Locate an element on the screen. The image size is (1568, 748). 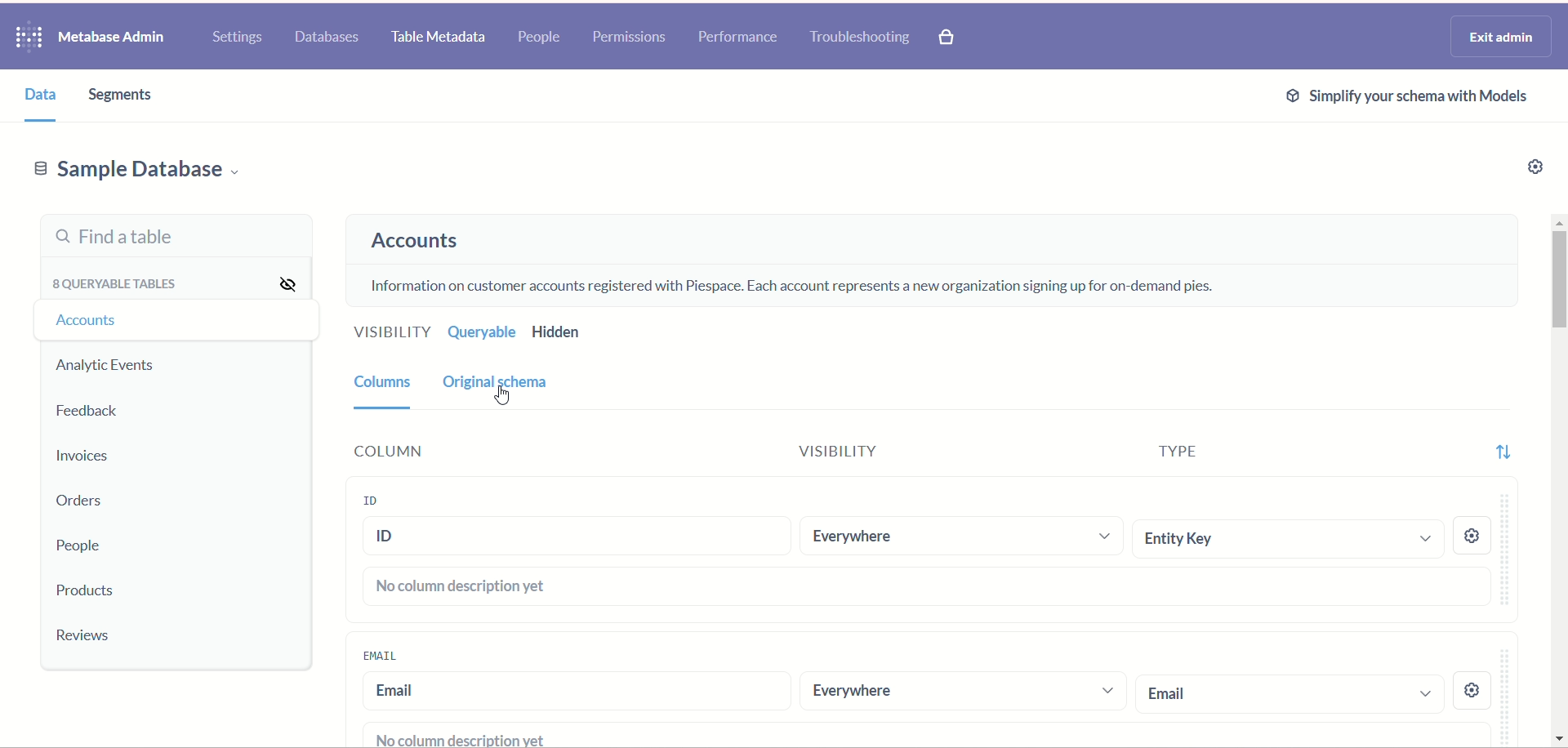
selection is located at coordinates (962, 692).